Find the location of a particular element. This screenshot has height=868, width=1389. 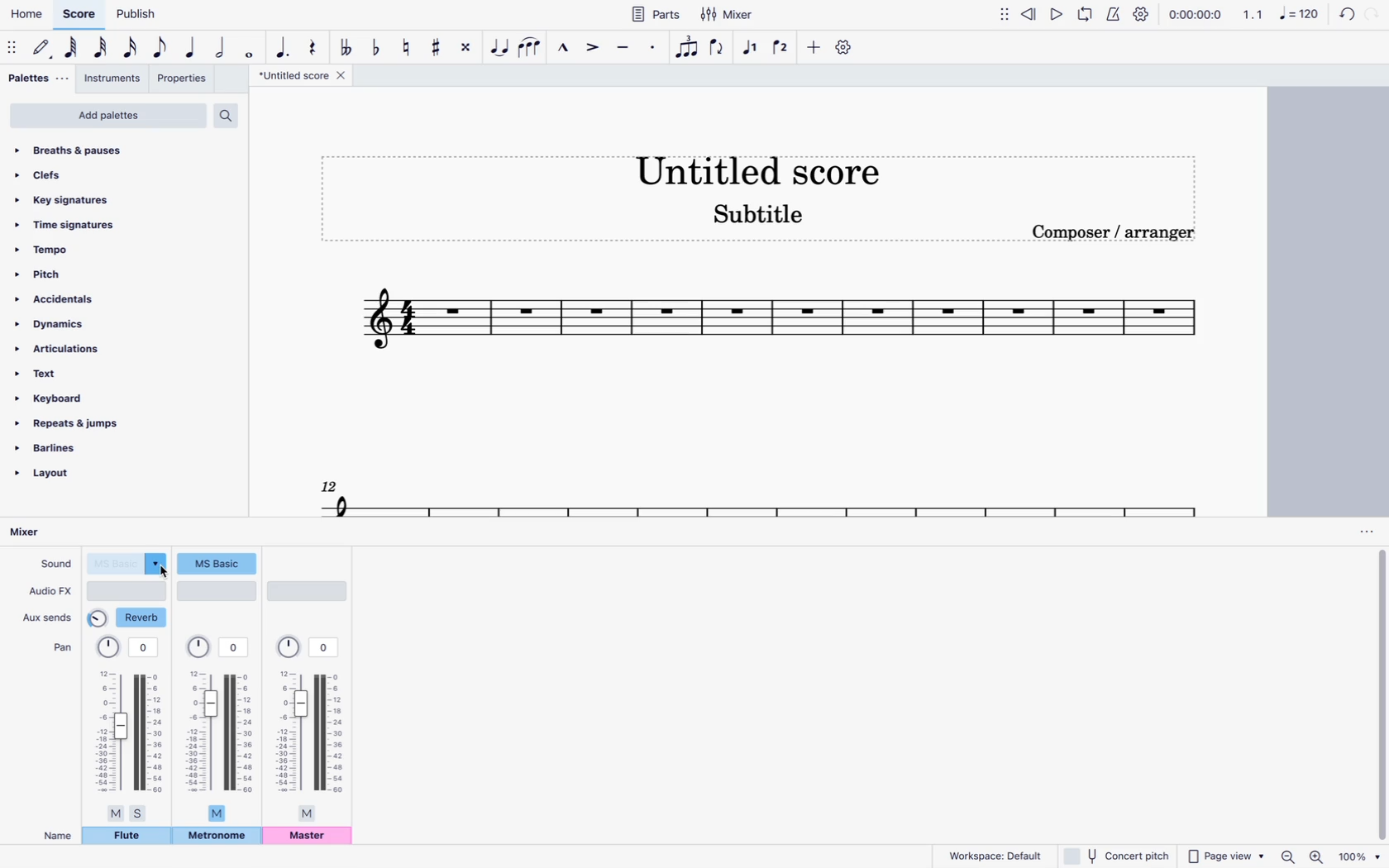

barlines is located at coordinates (69, 451).